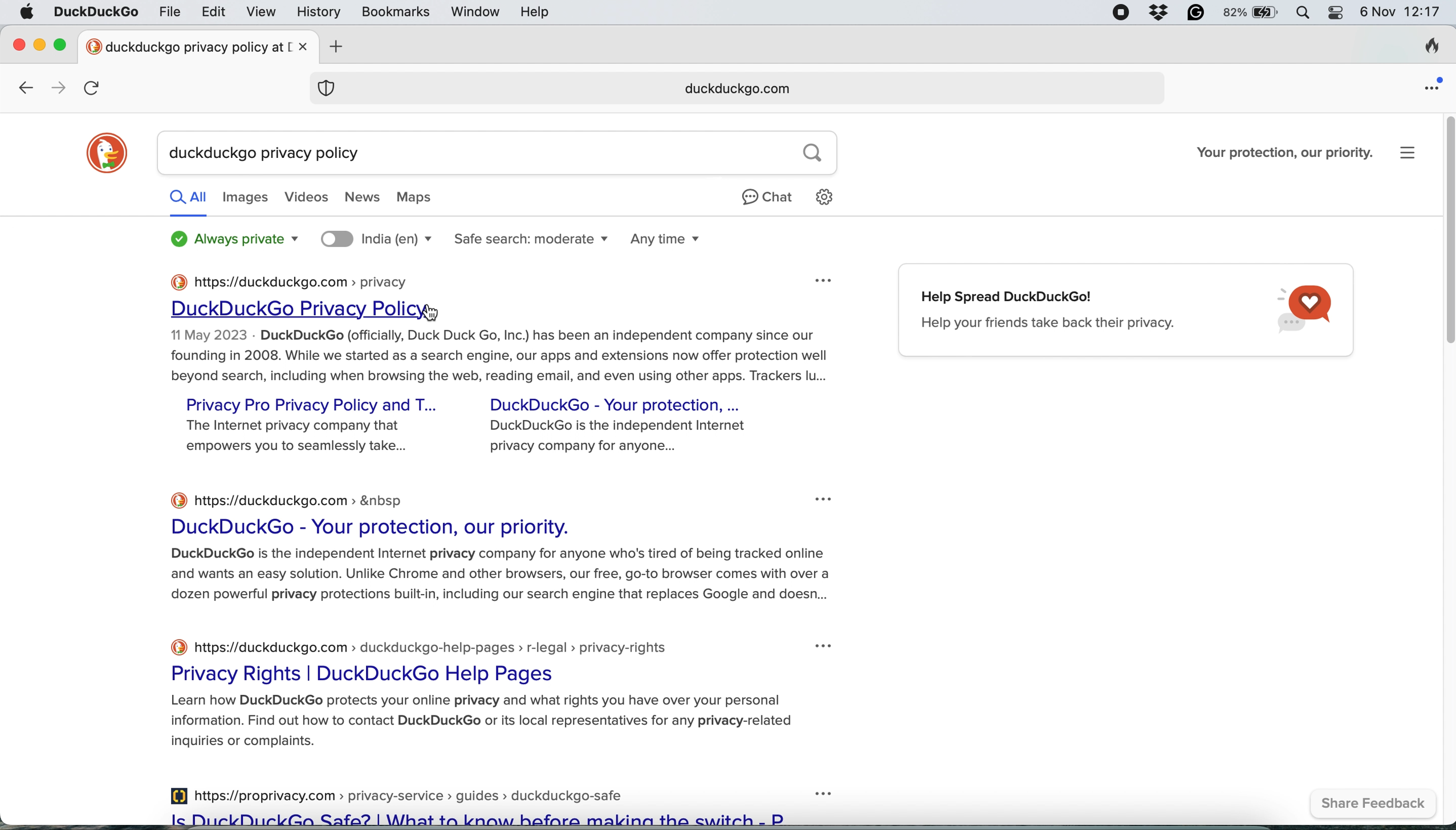 The image size is (1456, 830). What do you see at coordinates (743, 87) in the screenshot?
I see `web address` at bounding box center [743, 87].